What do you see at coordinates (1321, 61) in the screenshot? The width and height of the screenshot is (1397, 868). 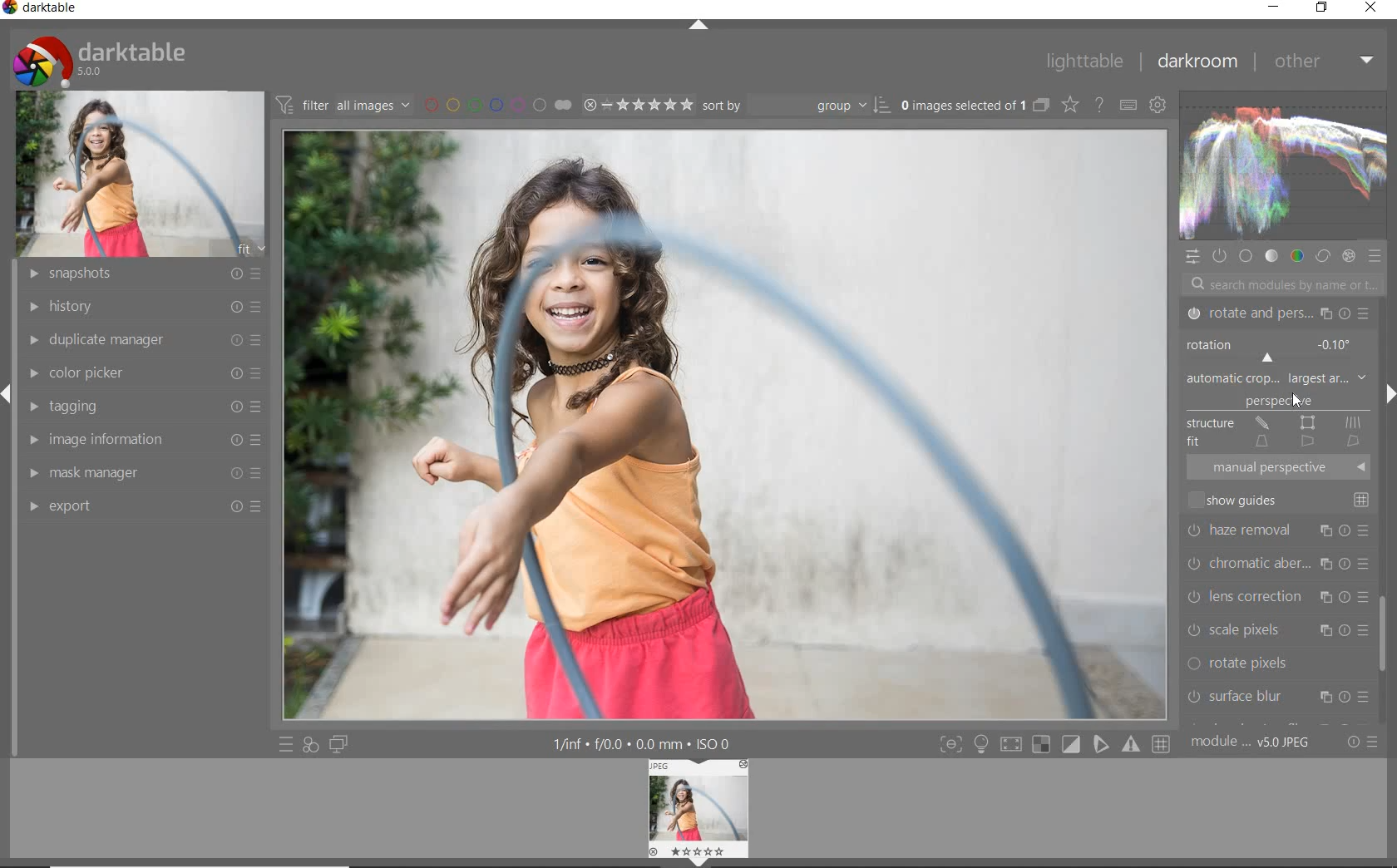 I see `other` at bounding box center [1321, 61].